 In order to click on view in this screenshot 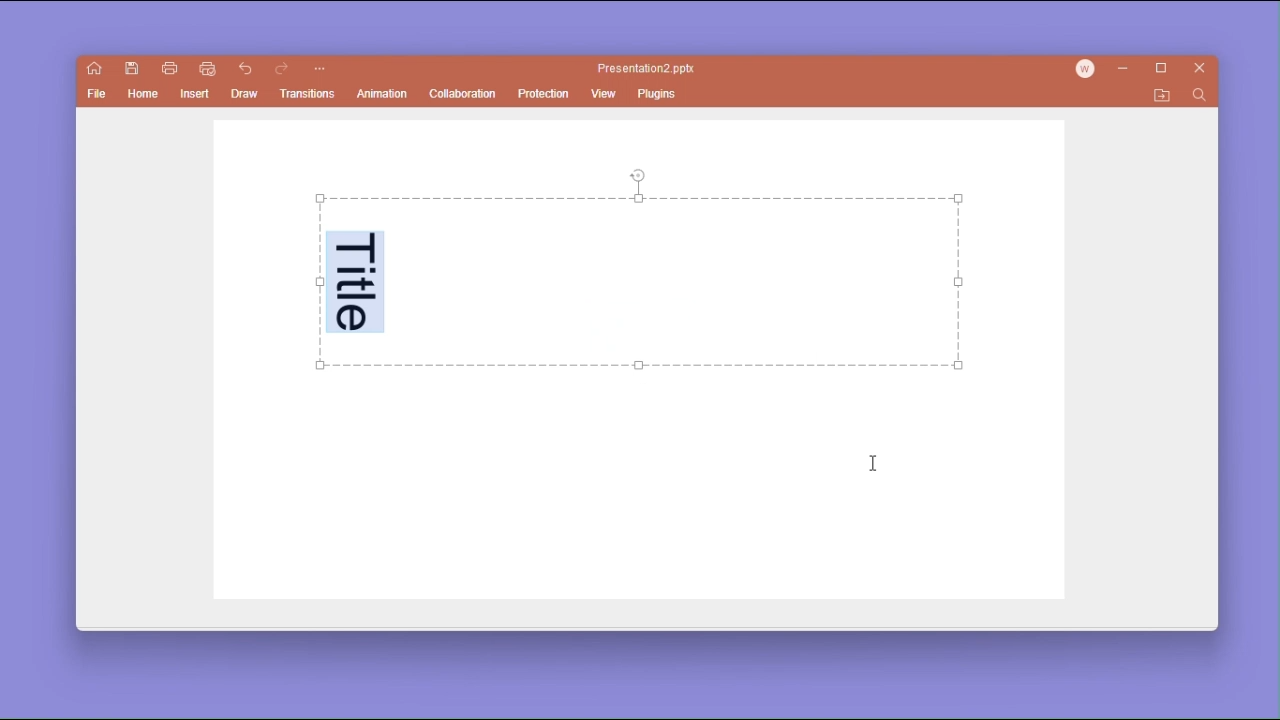, I will do `click(604, 95)`.